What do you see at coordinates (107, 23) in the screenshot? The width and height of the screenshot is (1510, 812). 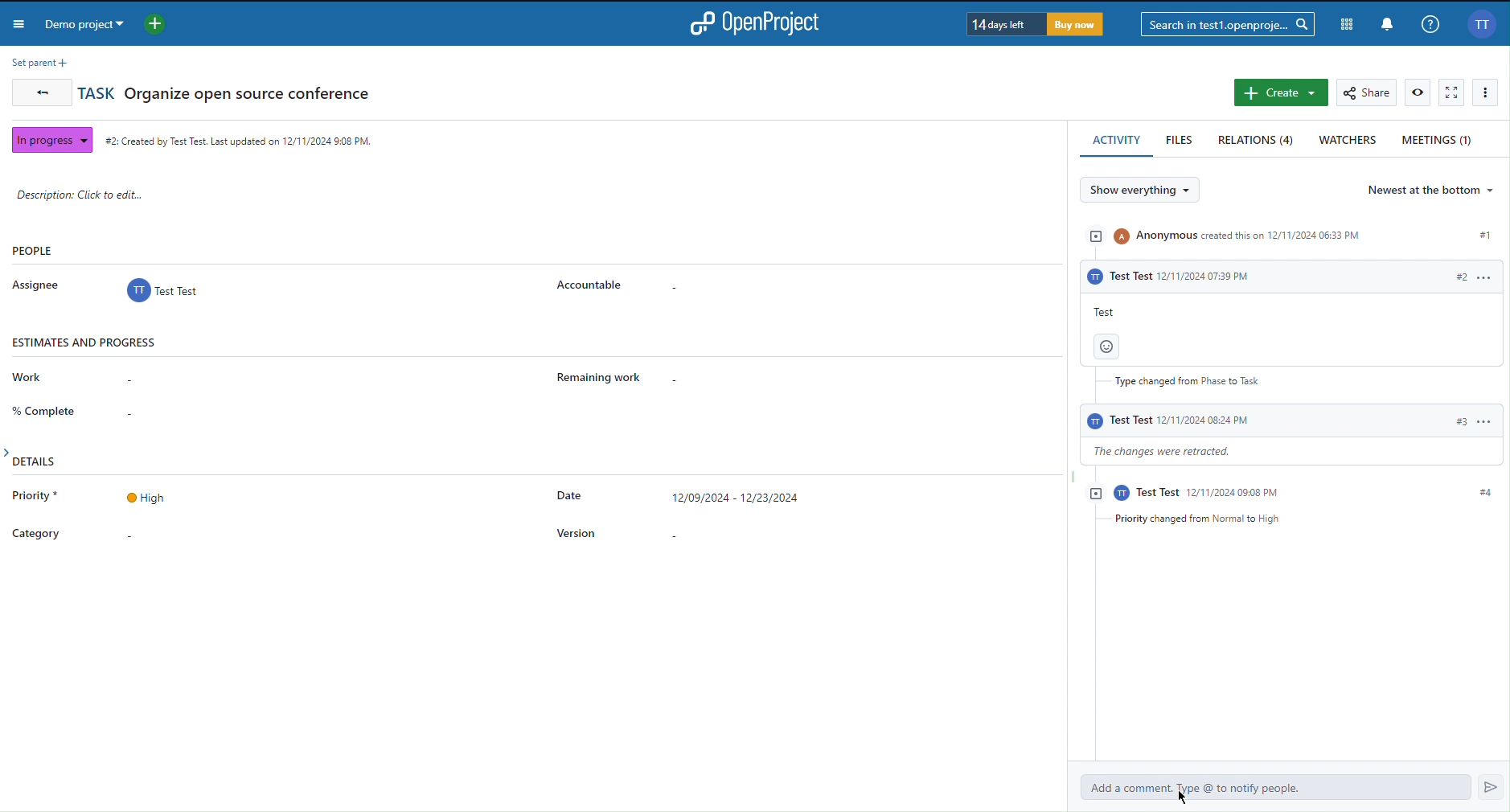 I see `Demo Projecy` at bounding box center [107, 23].